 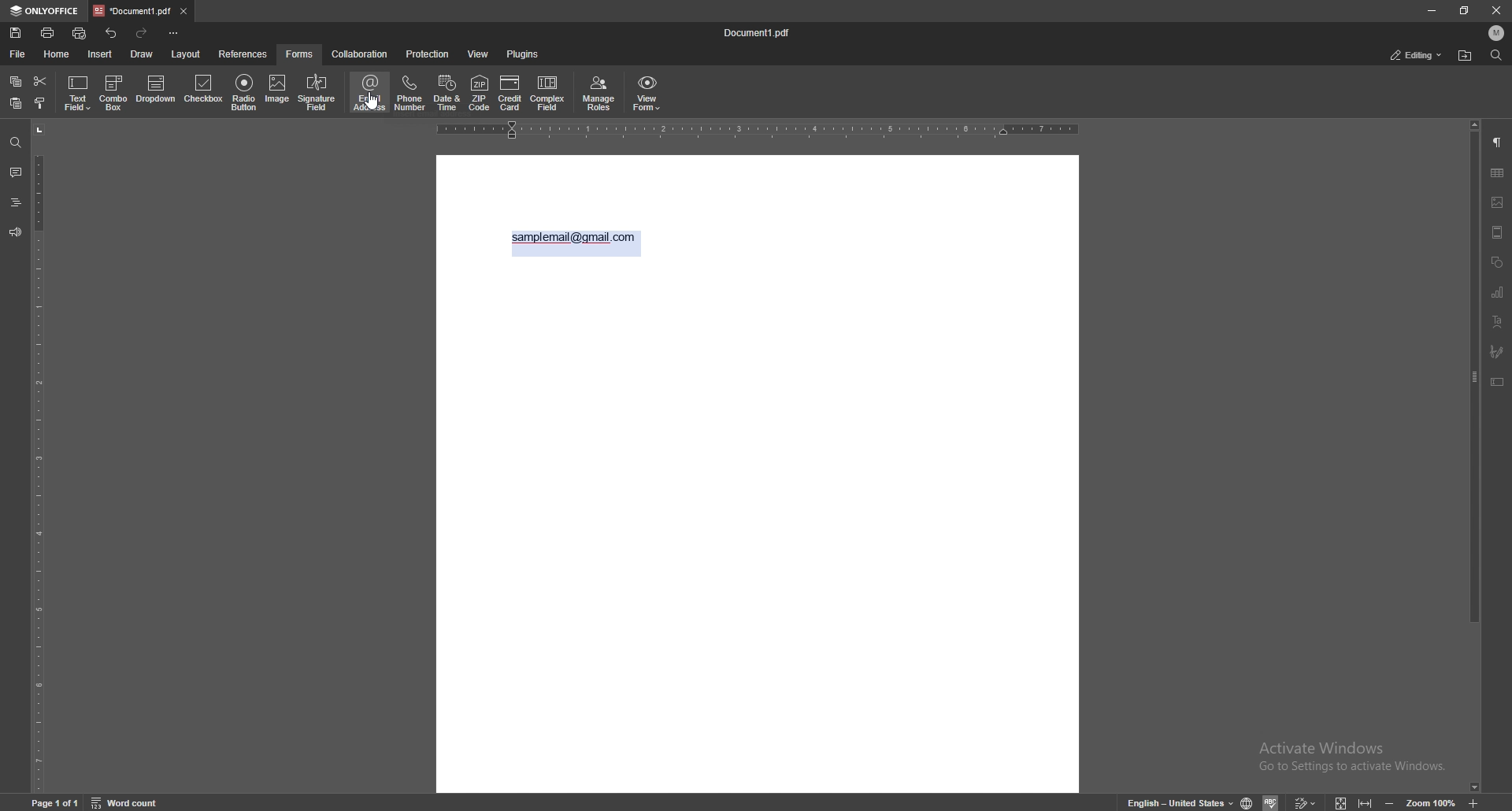 What do you see at coordinates (183, 12) in the screenshot?
I see `close tab` at bounding box center [183, 12].